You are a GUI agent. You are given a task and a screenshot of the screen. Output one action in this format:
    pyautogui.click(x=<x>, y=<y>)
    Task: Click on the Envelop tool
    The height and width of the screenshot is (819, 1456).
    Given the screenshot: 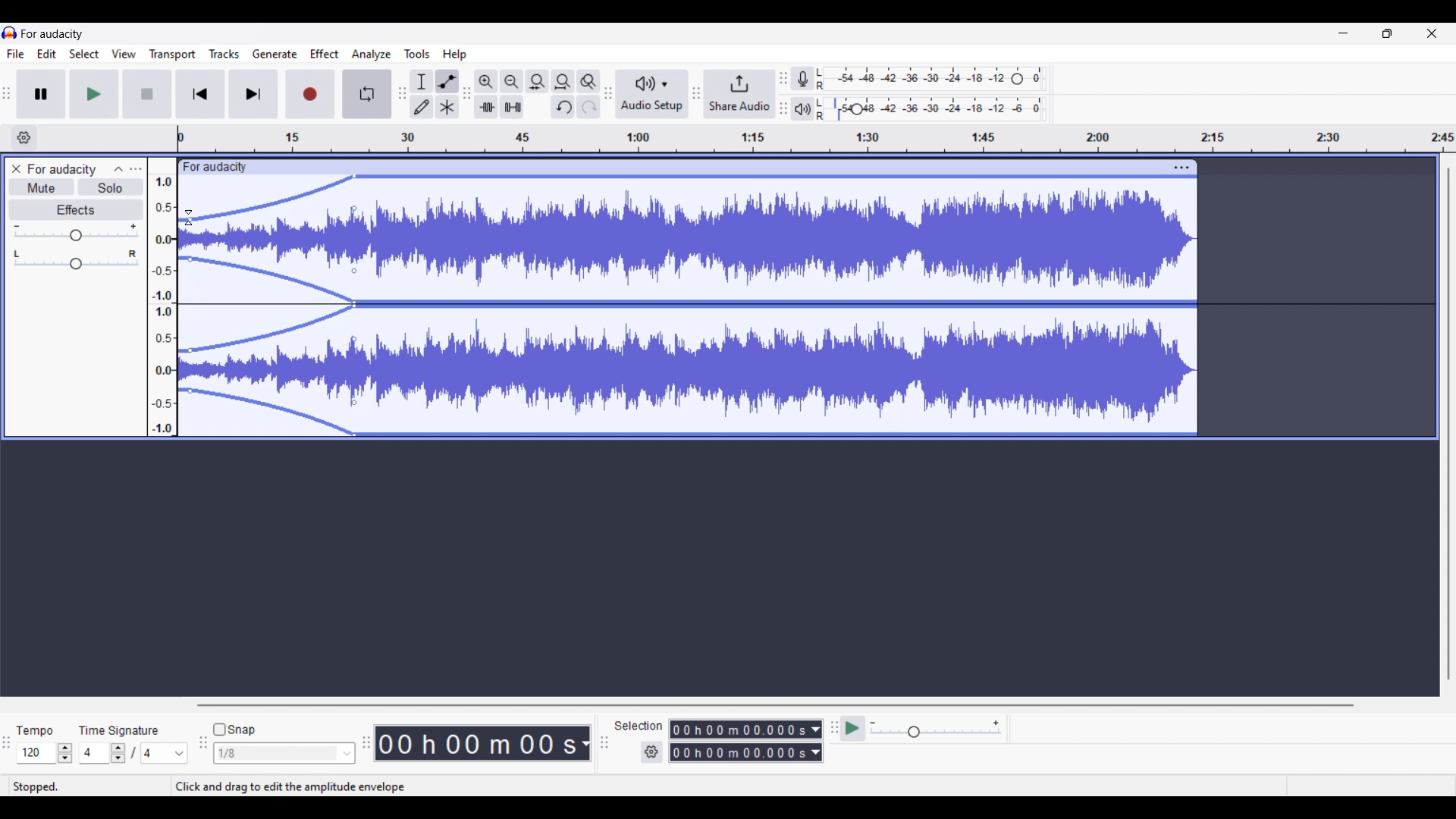 What is the action you would take?
    pyautogui.click(x=448, y=82)
    